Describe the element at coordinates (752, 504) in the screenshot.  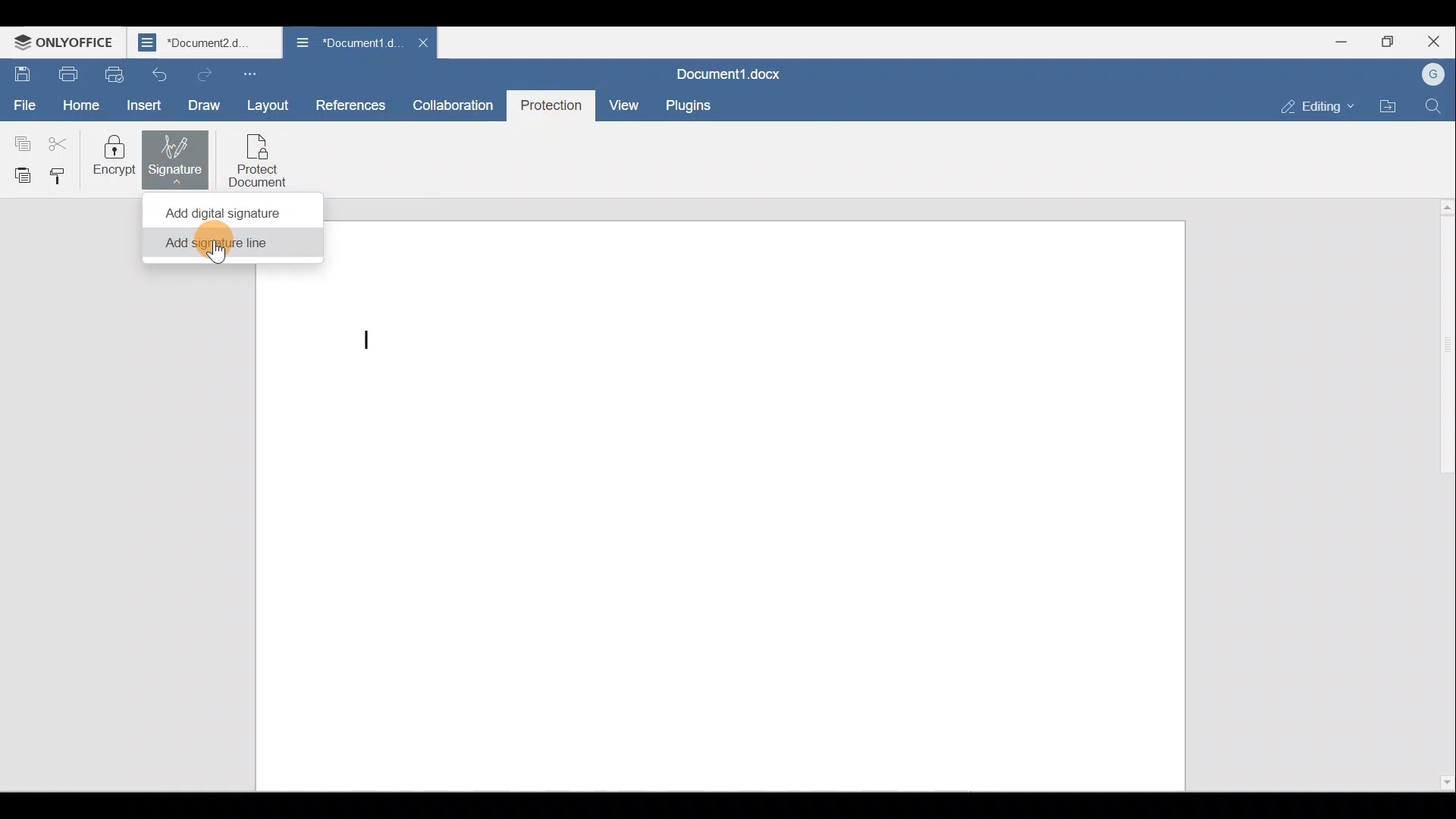
I see `Working area` at that location.